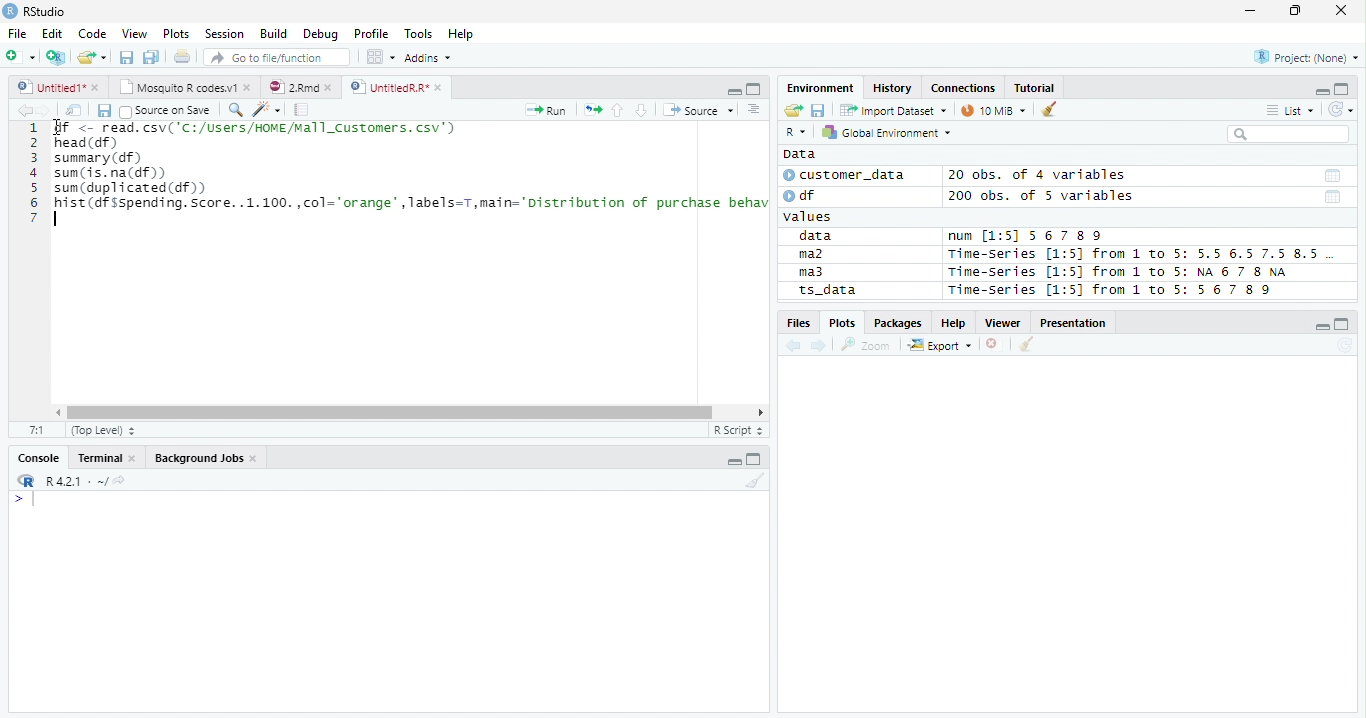 The width and height of the screenshot is (1366, 718). What do you see at coordinates (57, 129) in the screenshot?
I see `Cursor` at bounding box center [57, 129].